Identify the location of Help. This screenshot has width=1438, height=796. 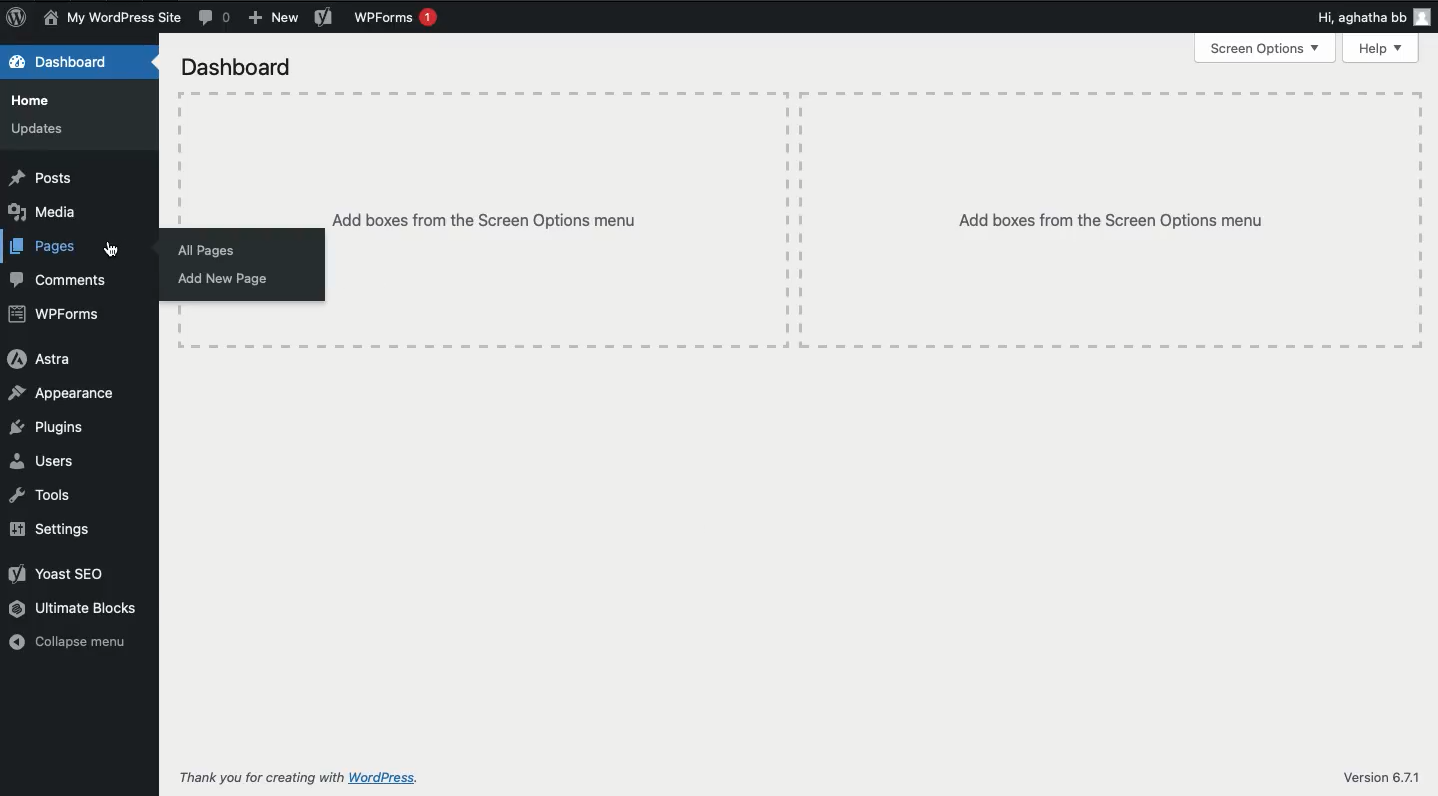
(1382, 48).